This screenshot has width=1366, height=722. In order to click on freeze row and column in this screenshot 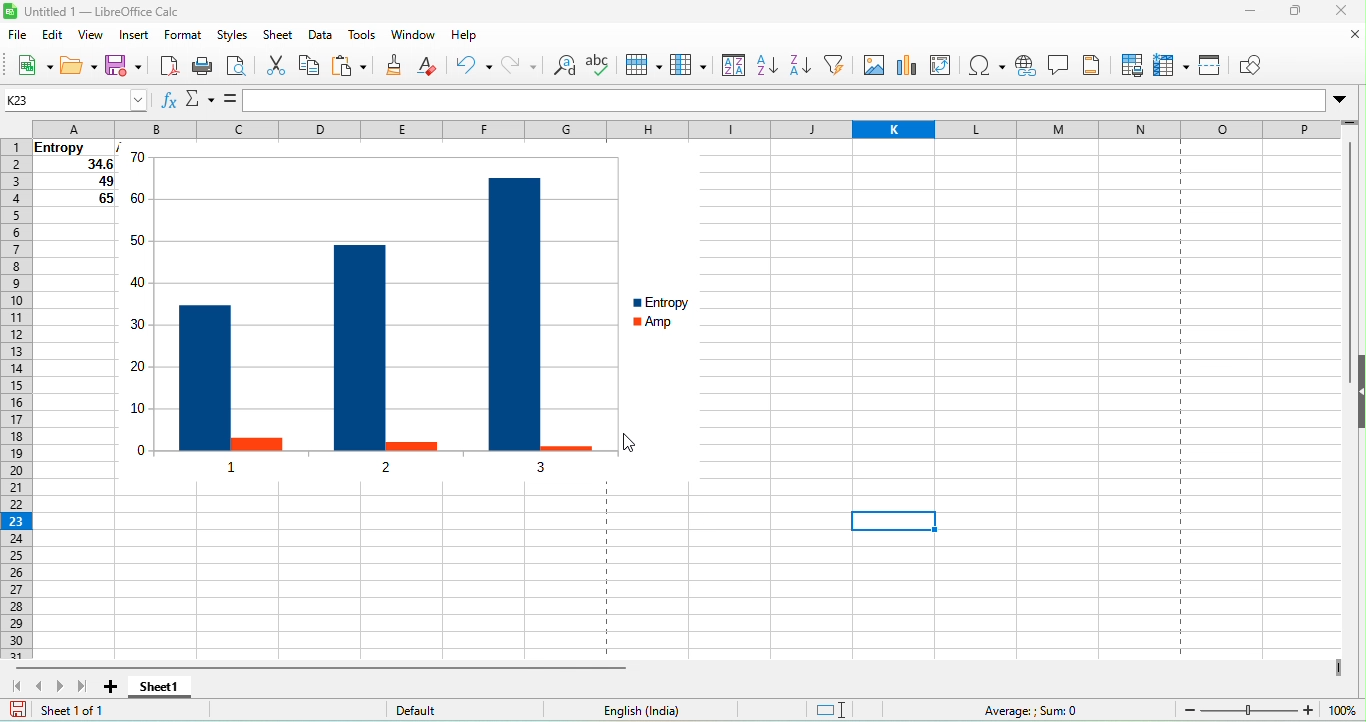, I will do `click(1172, 67)`.